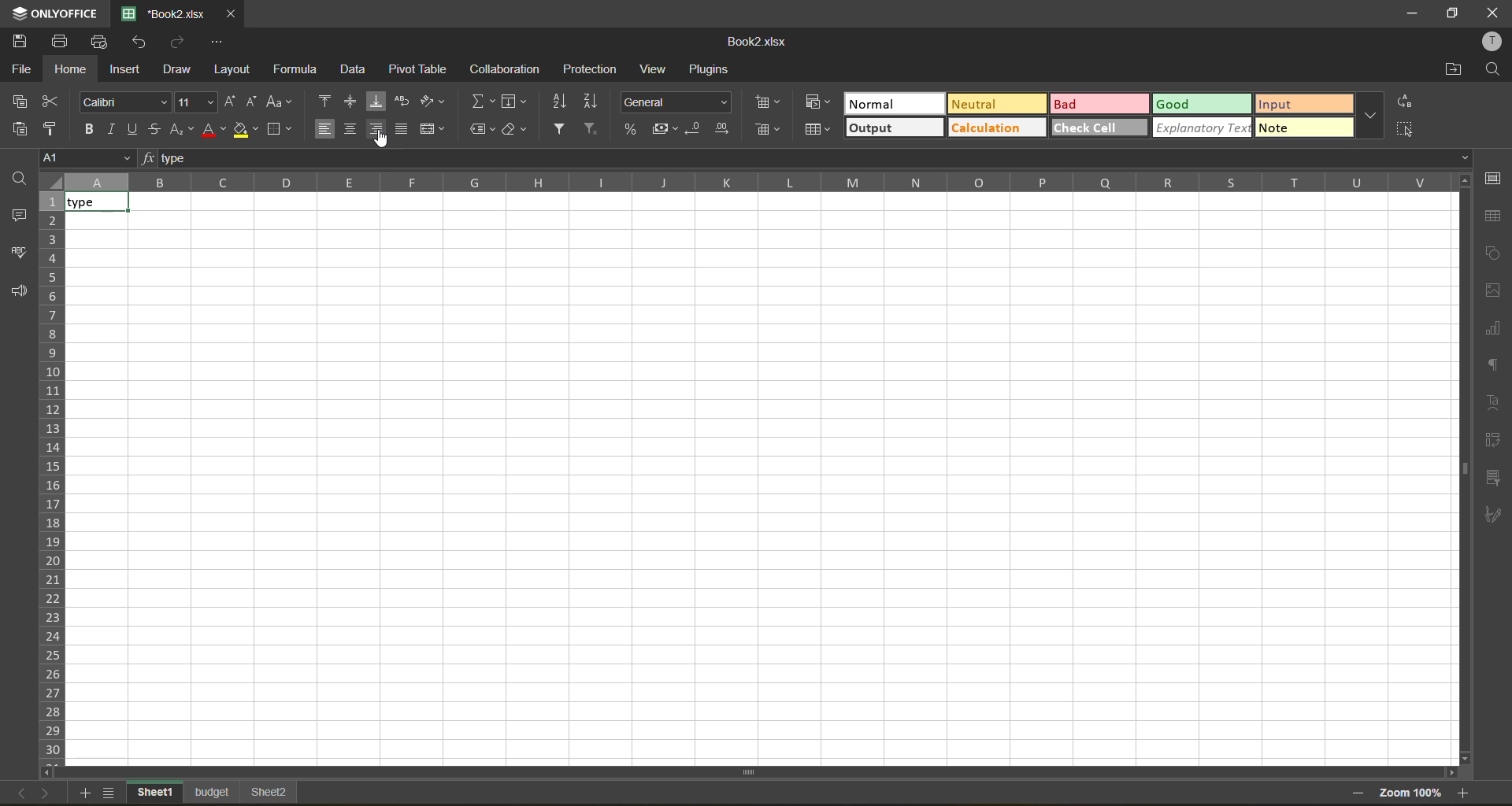 The image size is (1512, 806). What do you see at coordinates (758, 40) in the screenshot?
I see `Book2.xlsx` at bounding box center [758, 40].